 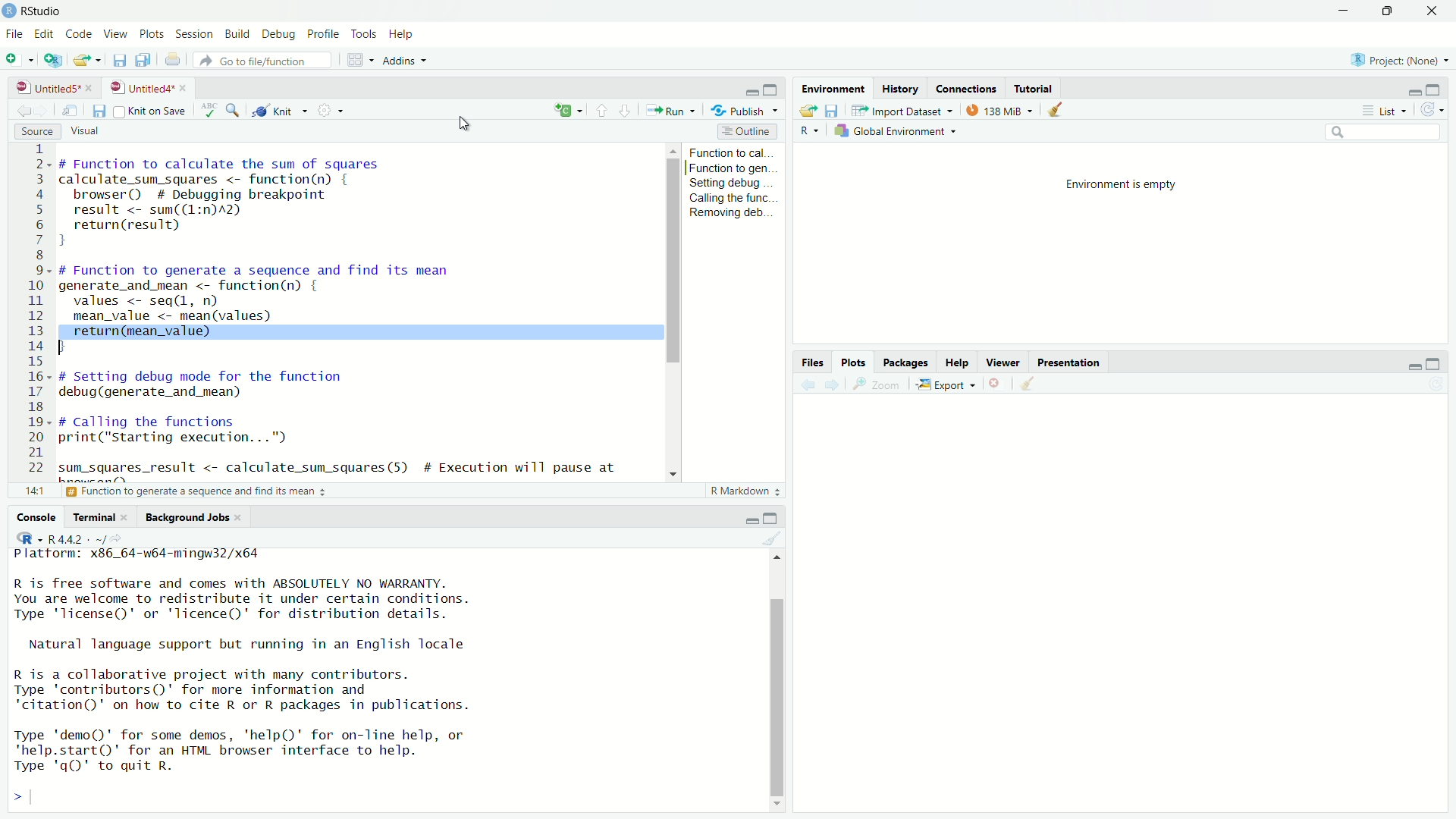 I want to click on print the current file, so click(x=175, y=59).